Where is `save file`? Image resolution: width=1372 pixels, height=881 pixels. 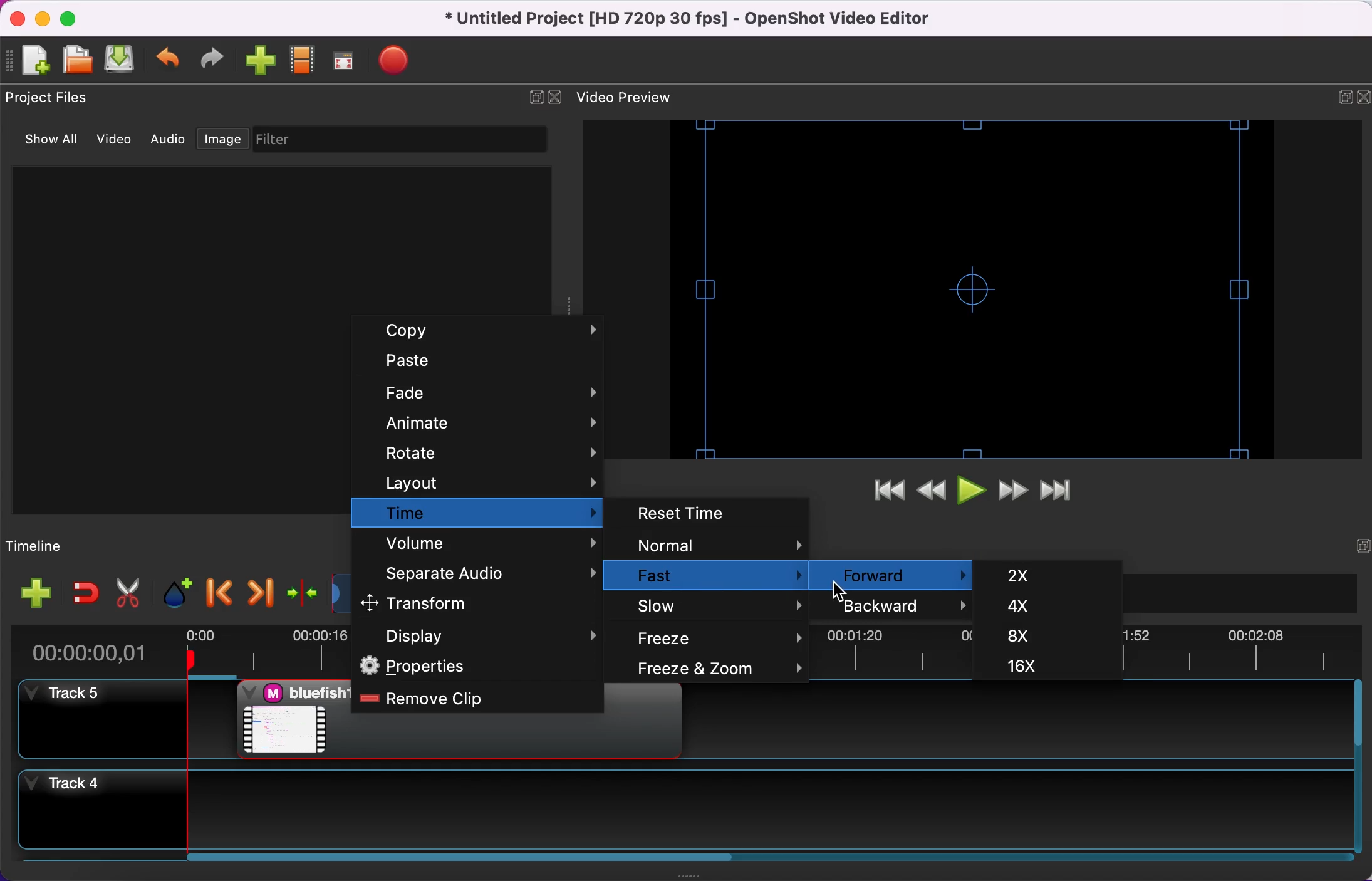 save file is located at coordinates (123, 61).